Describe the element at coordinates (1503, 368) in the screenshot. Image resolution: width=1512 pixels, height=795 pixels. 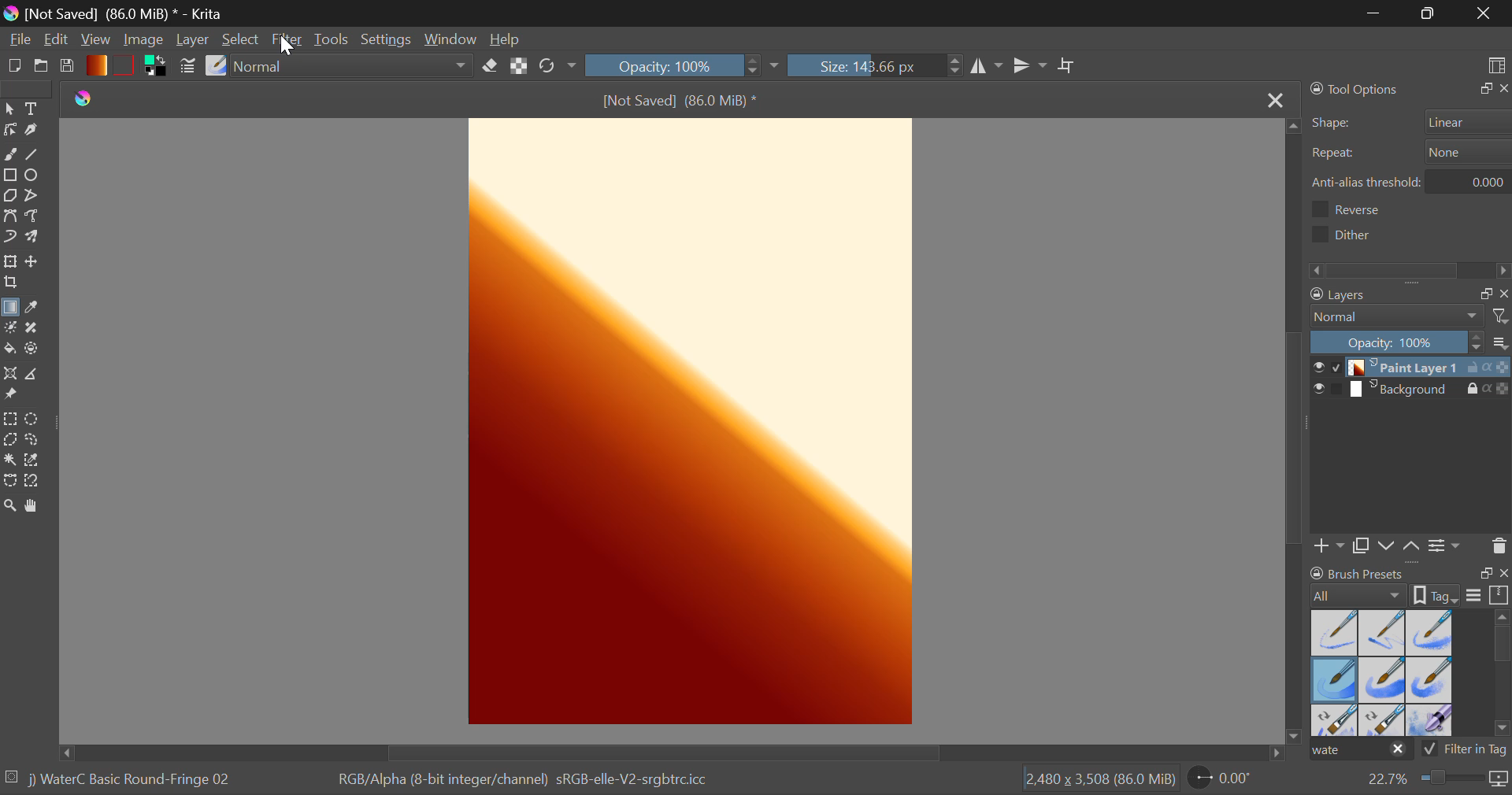
I see `color scale` at that location.